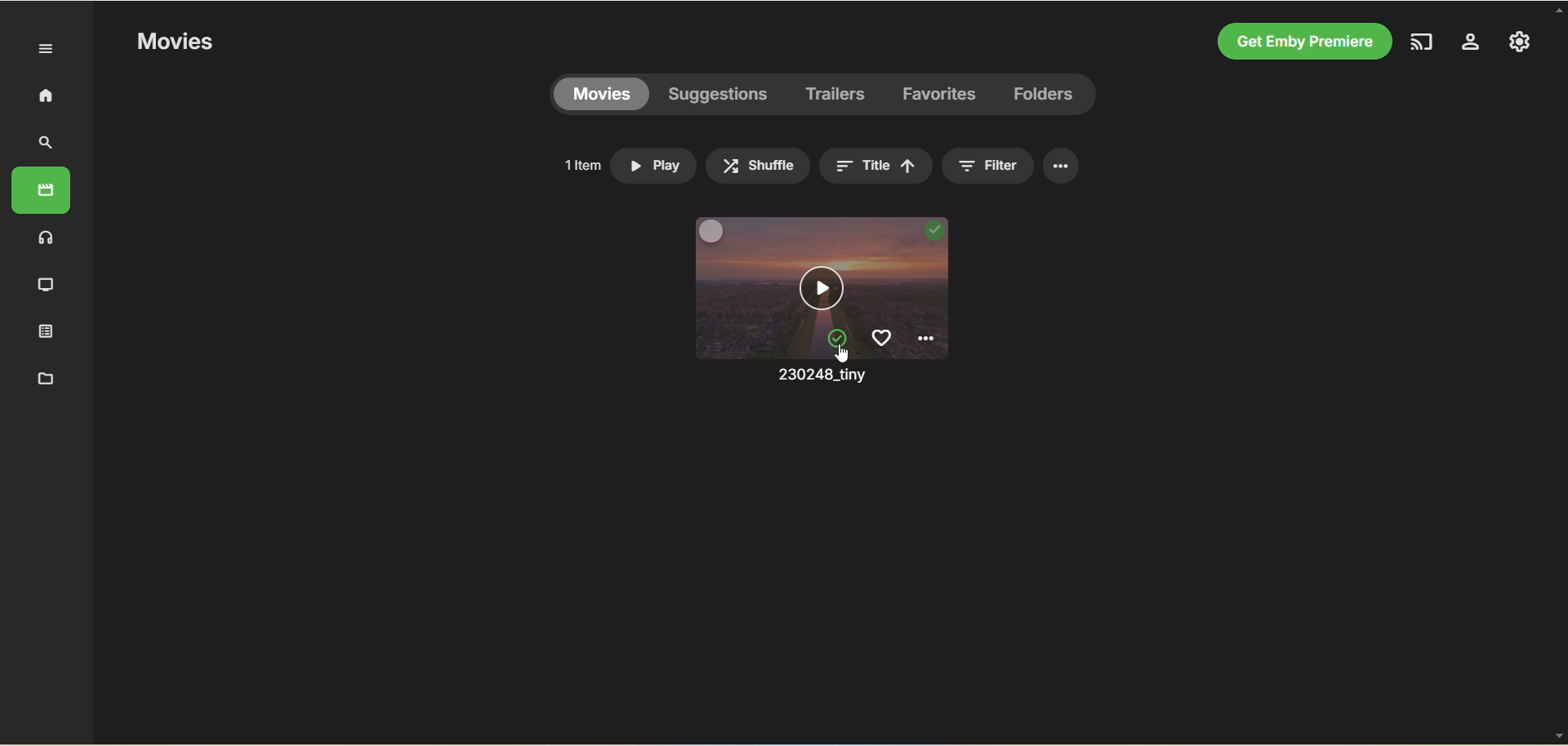 The height and width of the screenshot is (746, 1568). I want to click on mark unplayed, so click(835, 337).